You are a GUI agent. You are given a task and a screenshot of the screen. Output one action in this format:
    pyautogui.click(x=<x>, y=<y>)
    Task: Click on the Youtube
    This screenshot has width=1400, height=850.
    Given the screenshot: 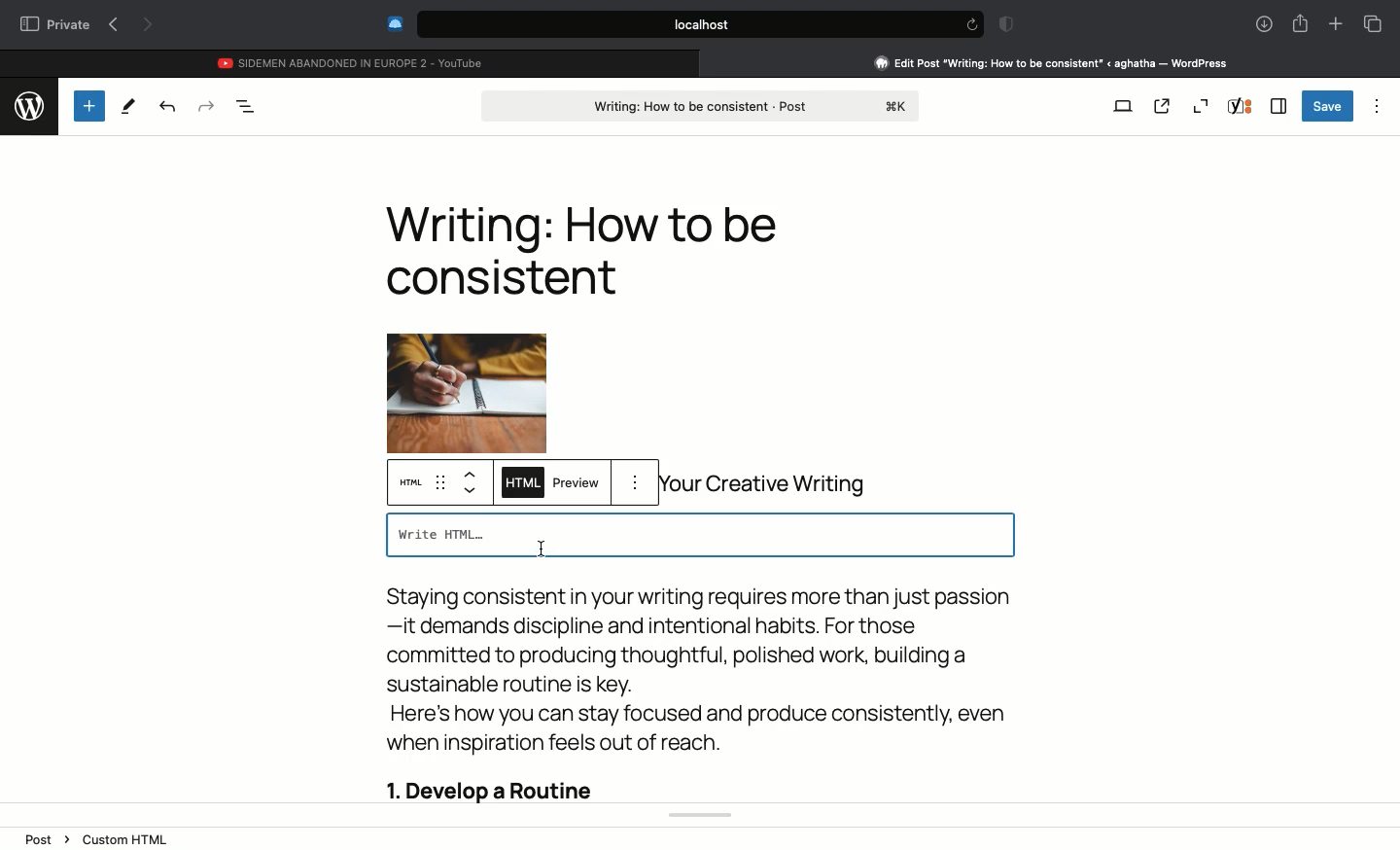 What is the action you would take?
    pyautogui.click(x=353, y=60)
    